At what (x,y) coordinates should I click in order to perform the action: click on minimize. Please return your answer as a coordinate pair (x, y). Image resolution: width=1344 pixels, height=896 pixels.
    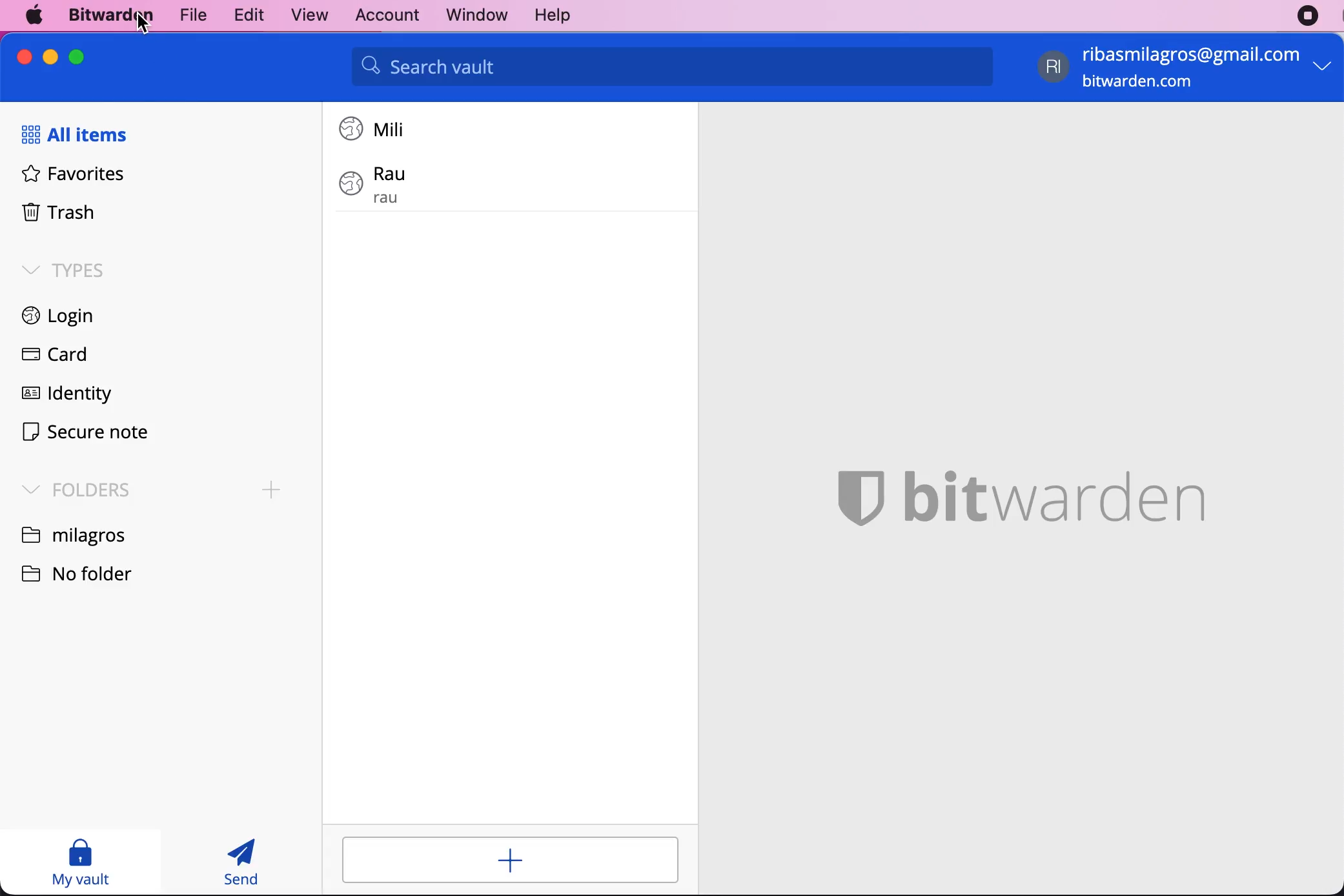
    Looking at the image, I should click on (50, 57).